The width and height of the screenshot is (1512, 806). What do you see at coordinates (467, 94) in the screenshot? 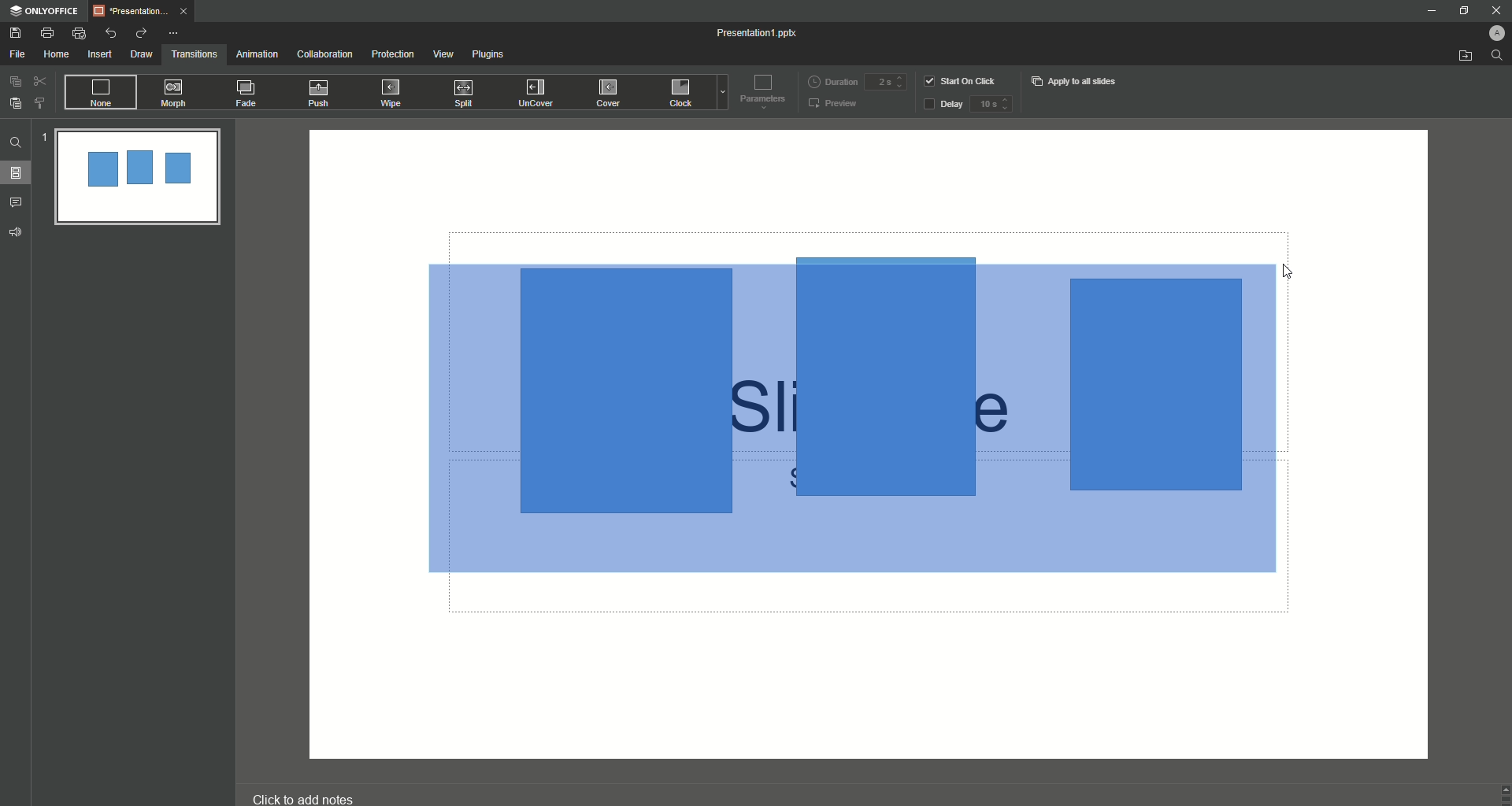
I see `Split` at bounding box center [467, 94].